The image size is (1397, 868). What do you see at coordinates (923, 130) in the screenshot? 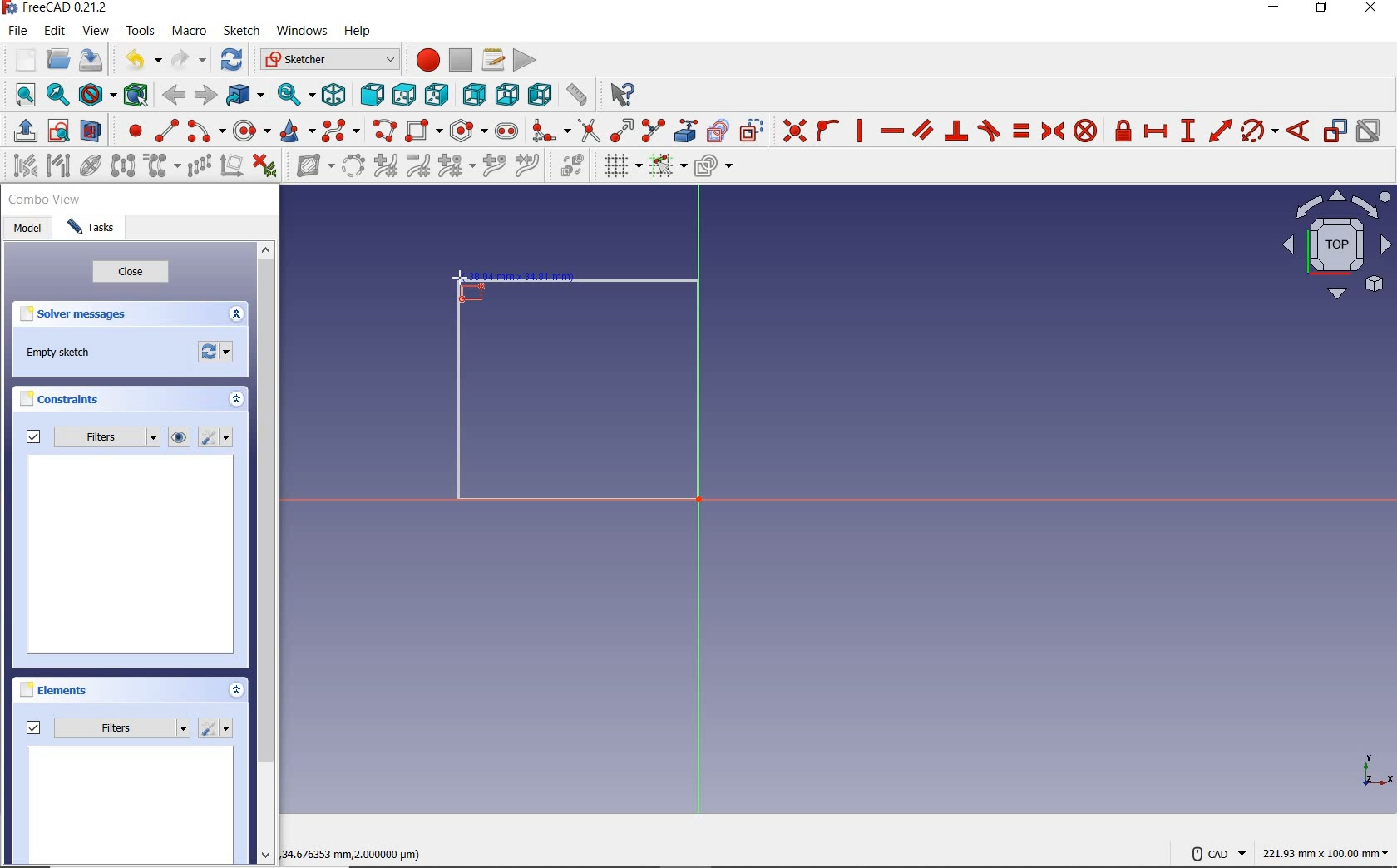
I see `constrain parallel` at bounding box center [923, 130].